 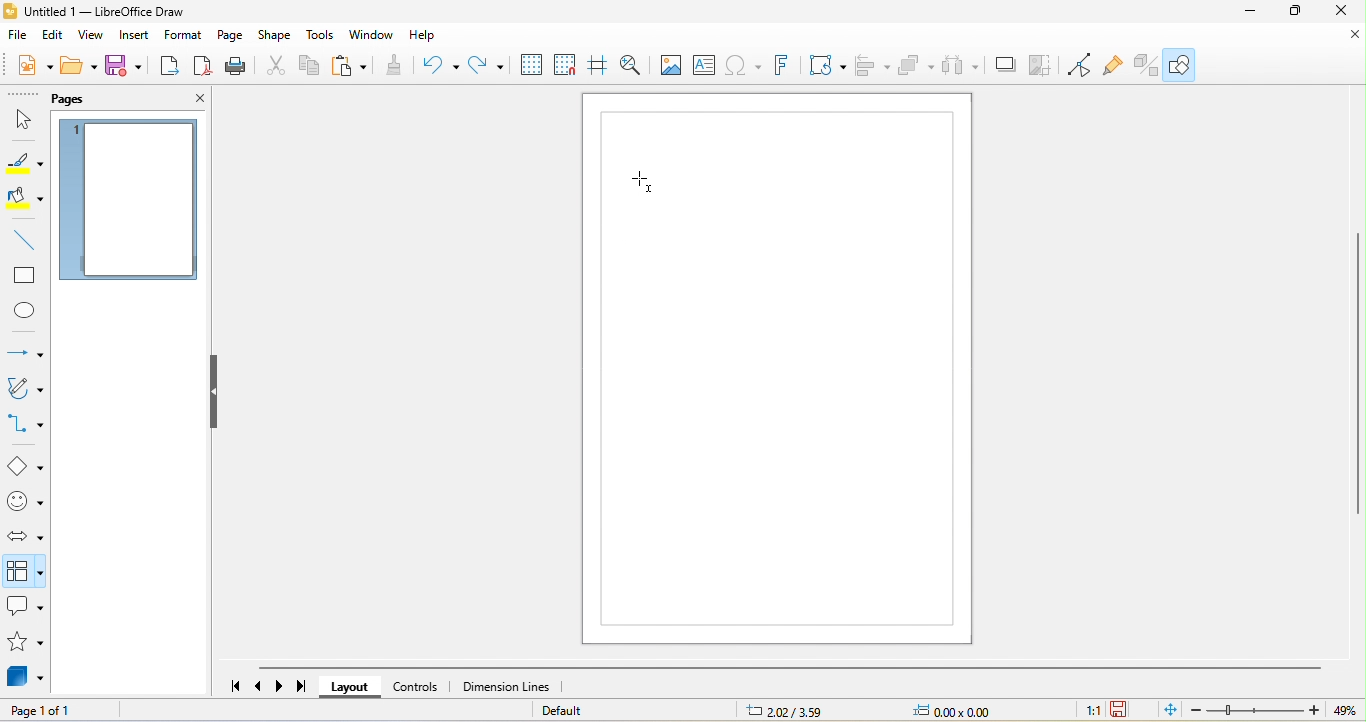 I want to click on rectangle, so click(x=26, y=275).